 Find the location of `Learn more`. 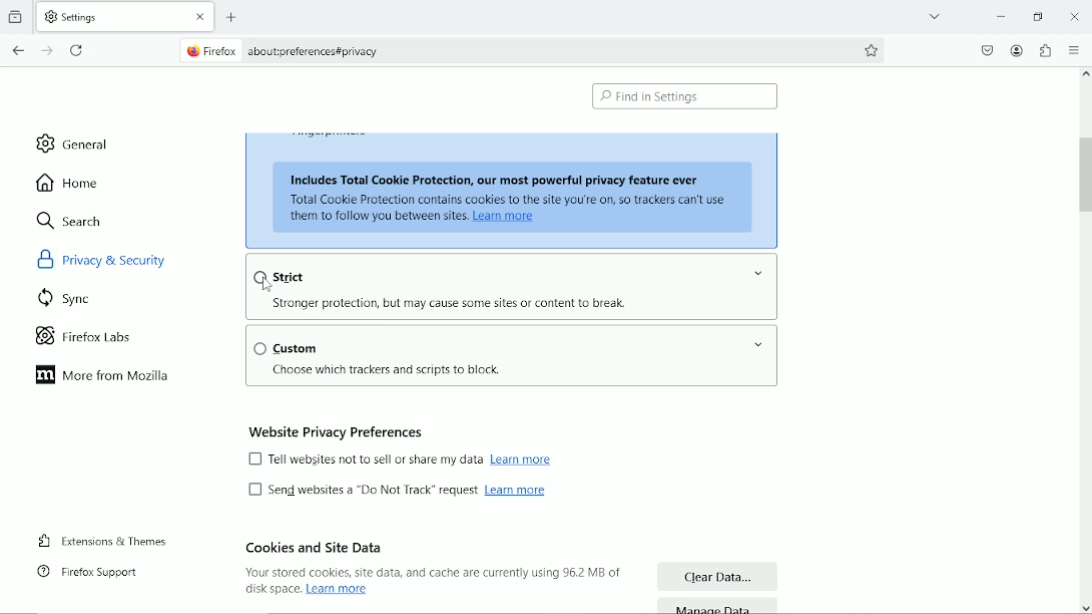

Learn more is located at coordinates (521, 460).